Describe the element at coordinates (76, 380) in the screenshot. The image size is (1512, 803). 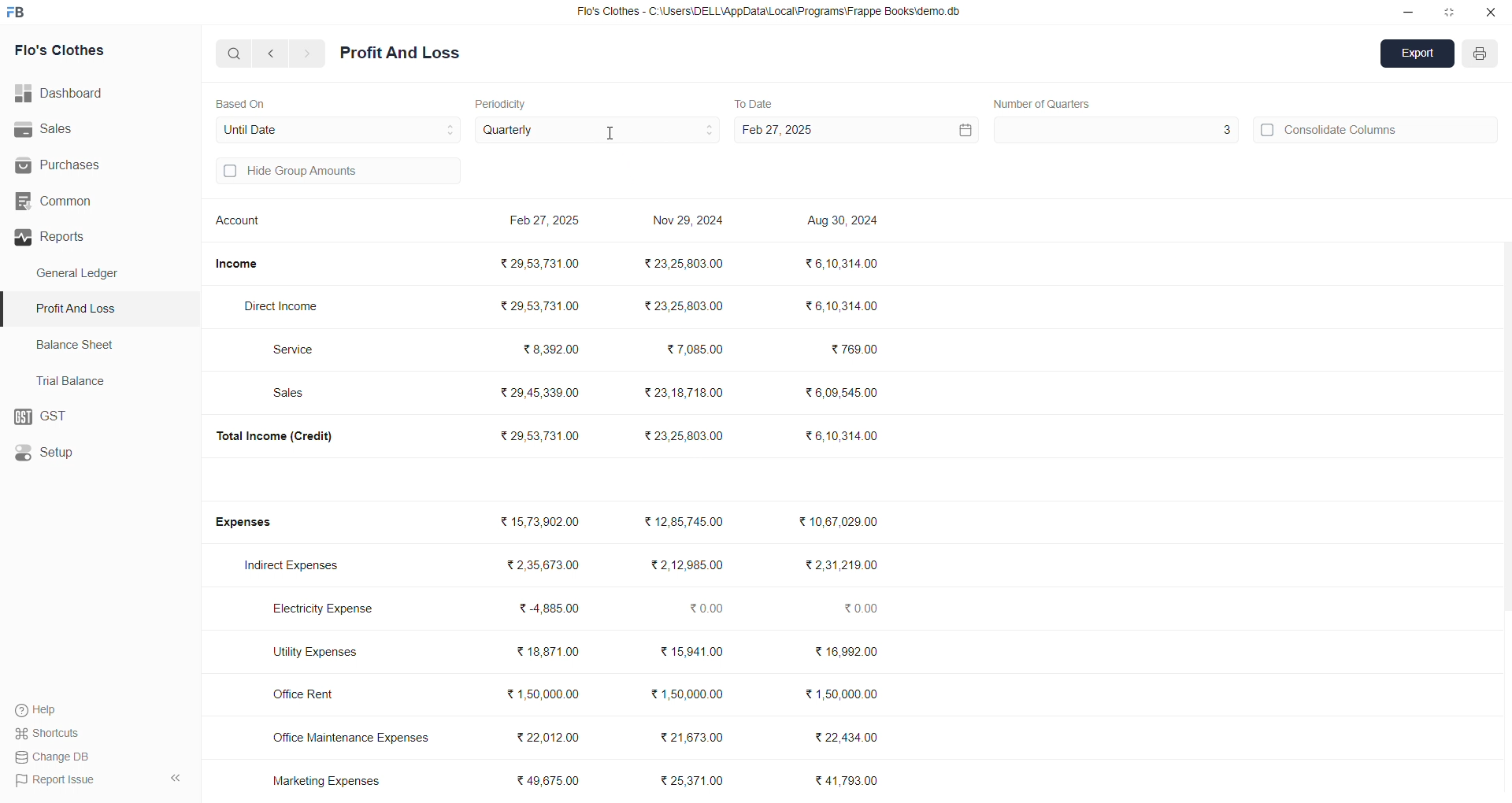
I see `Trial Balance` at that location.